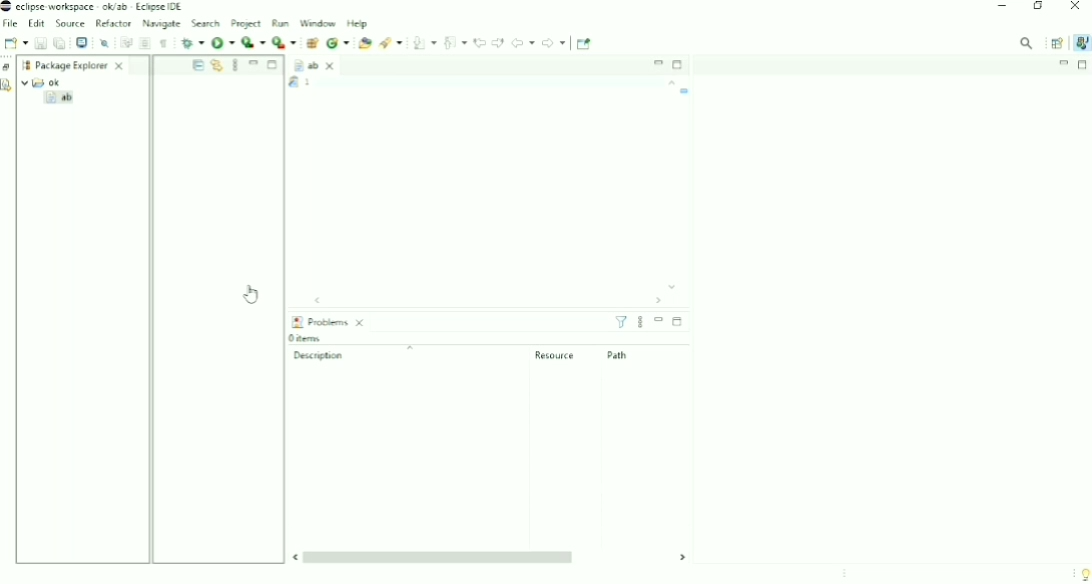  Describe the element at coordinates (70, 23) in the screenshot. I see `Source` at that location.